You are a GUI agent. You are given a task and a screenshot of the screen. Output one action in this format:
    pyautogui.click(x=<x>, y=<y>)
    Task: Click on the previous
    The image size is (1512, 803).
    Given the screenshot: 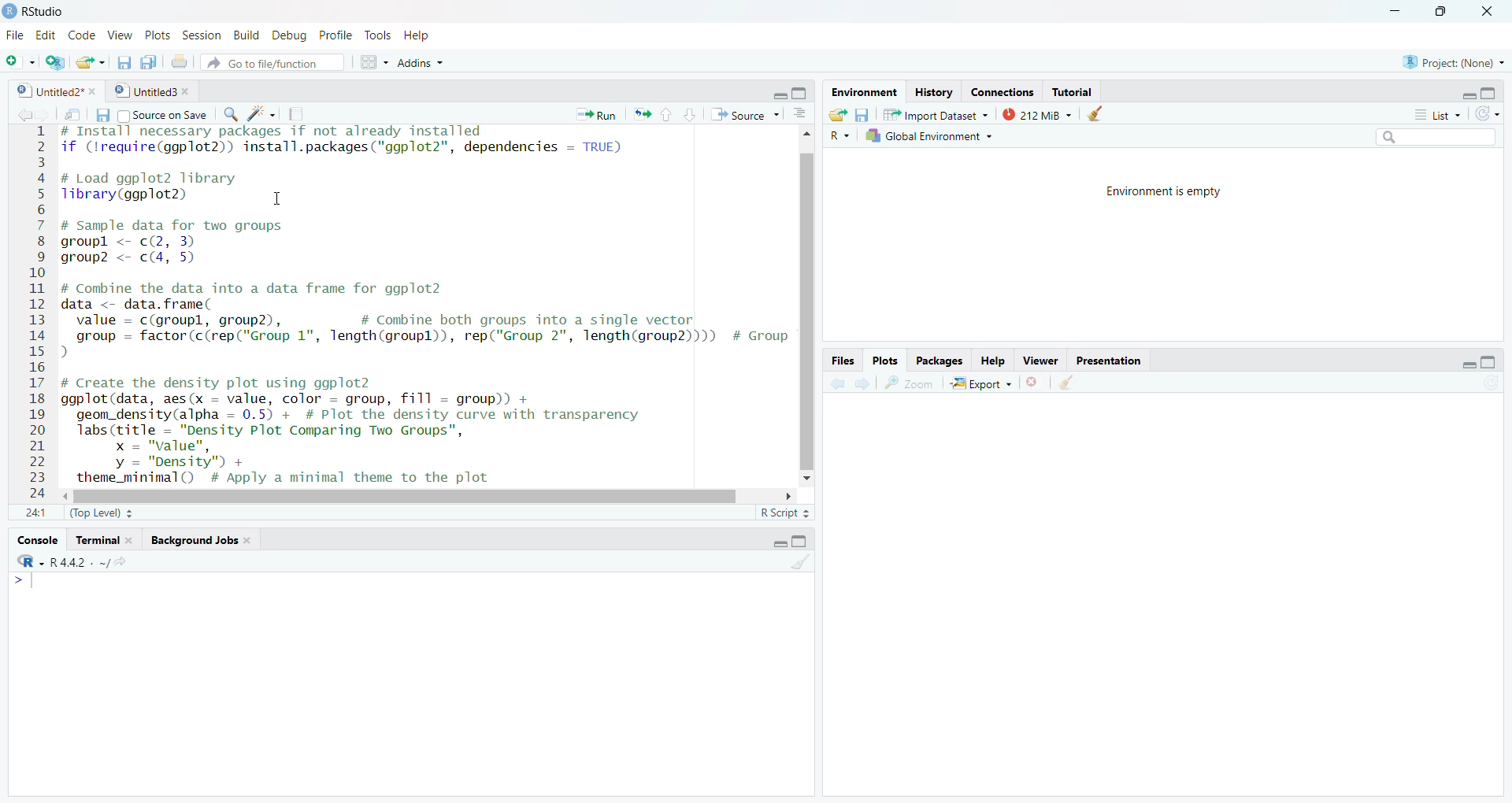 What is the action you would take?
    pyautogui.click(x=20, y=113)
    